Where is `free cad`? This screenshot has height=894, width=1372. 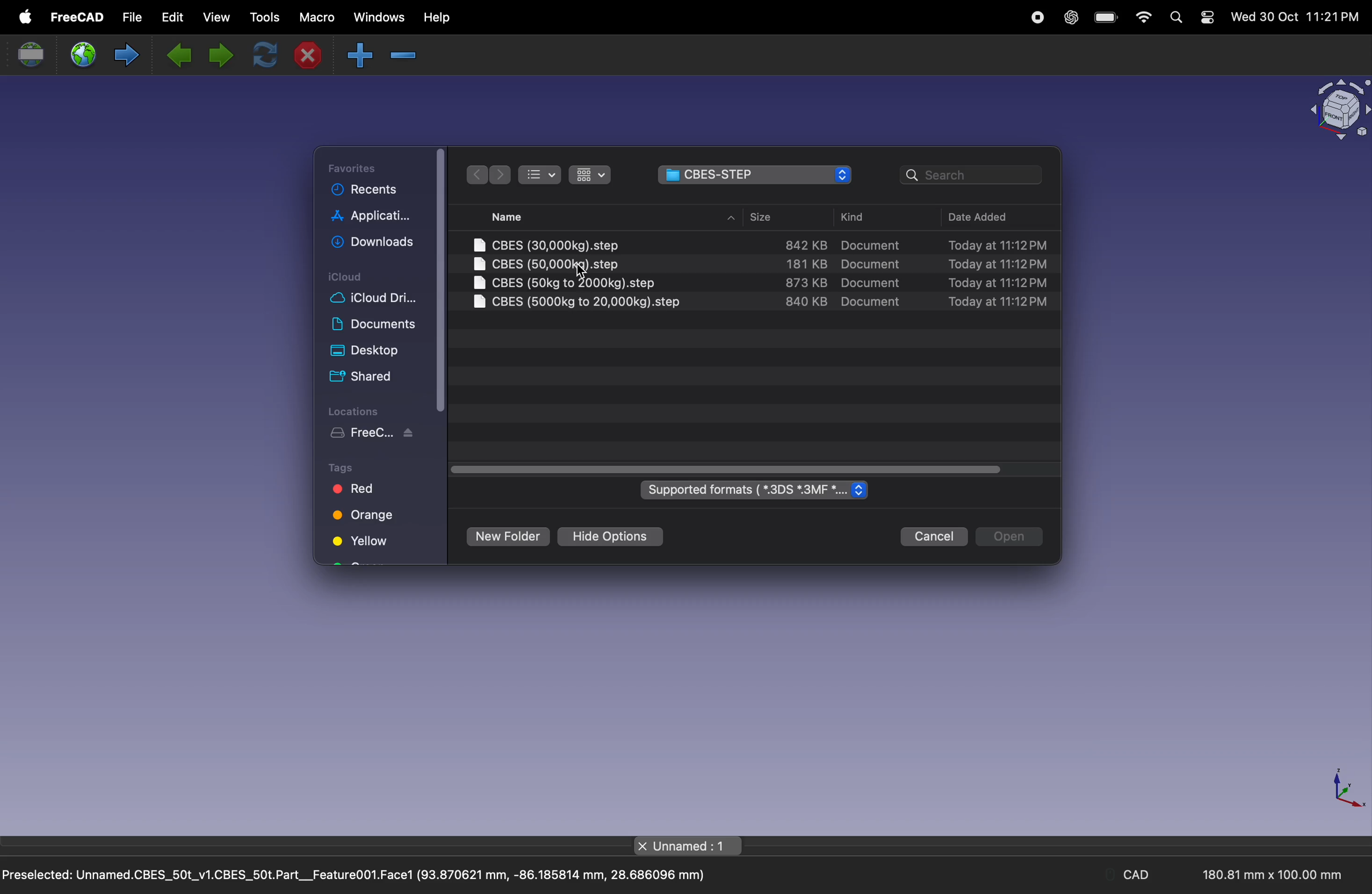
free cad is located at coordinates (76, 17).